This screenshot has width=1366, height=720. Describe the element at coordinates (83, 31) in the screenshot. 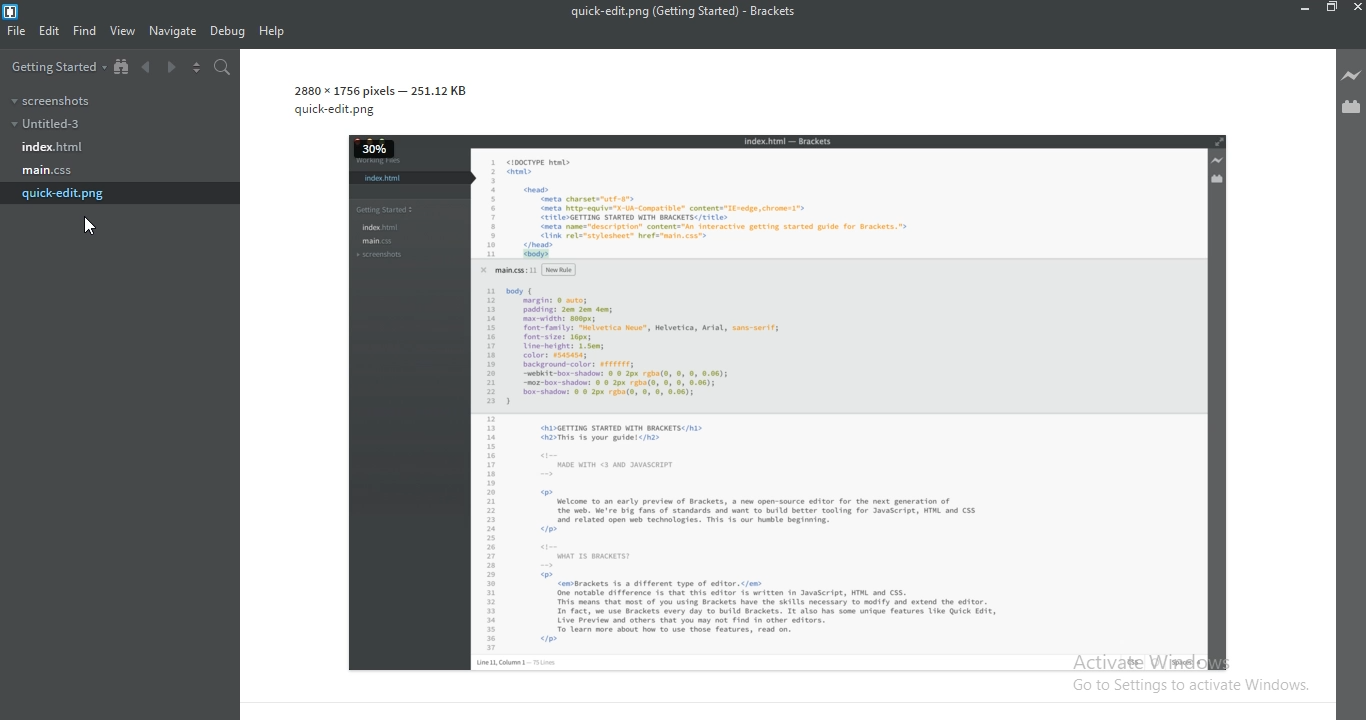

I see `find` at that location.